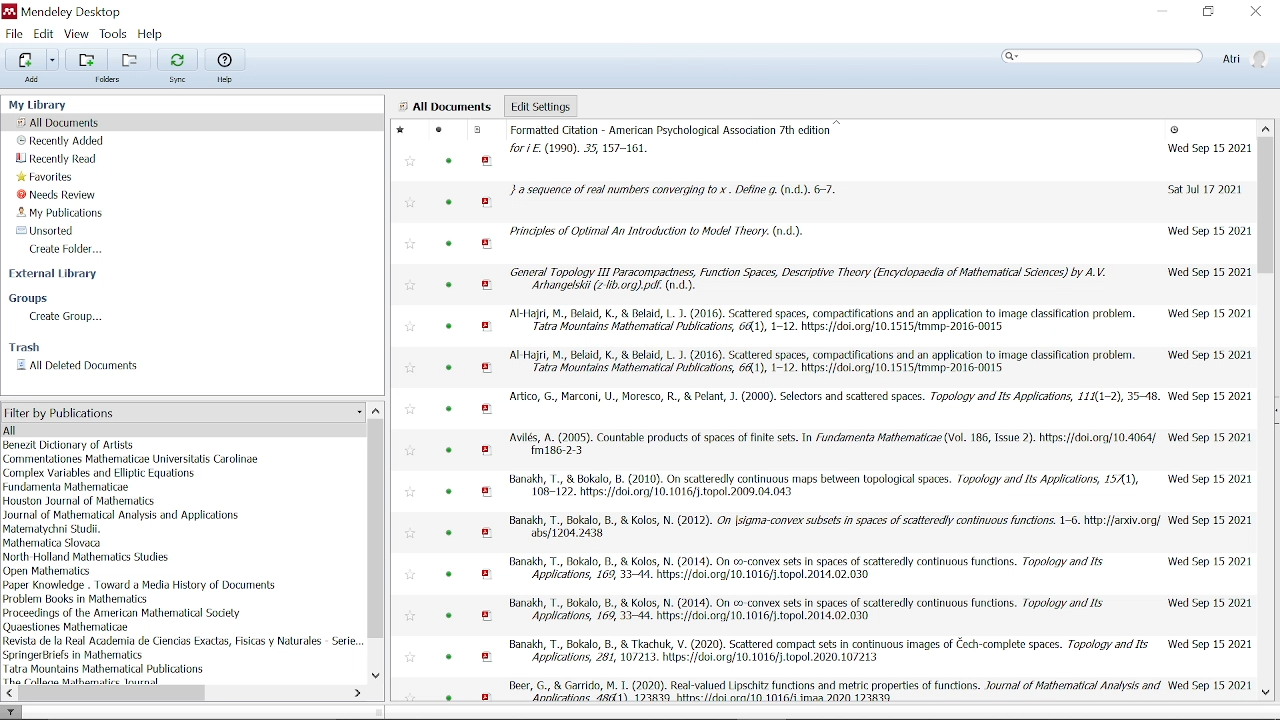  What do you see at coordinates (1245, 58) in the screenshot?
I see `Profile` at bounding box center [1245, 58].